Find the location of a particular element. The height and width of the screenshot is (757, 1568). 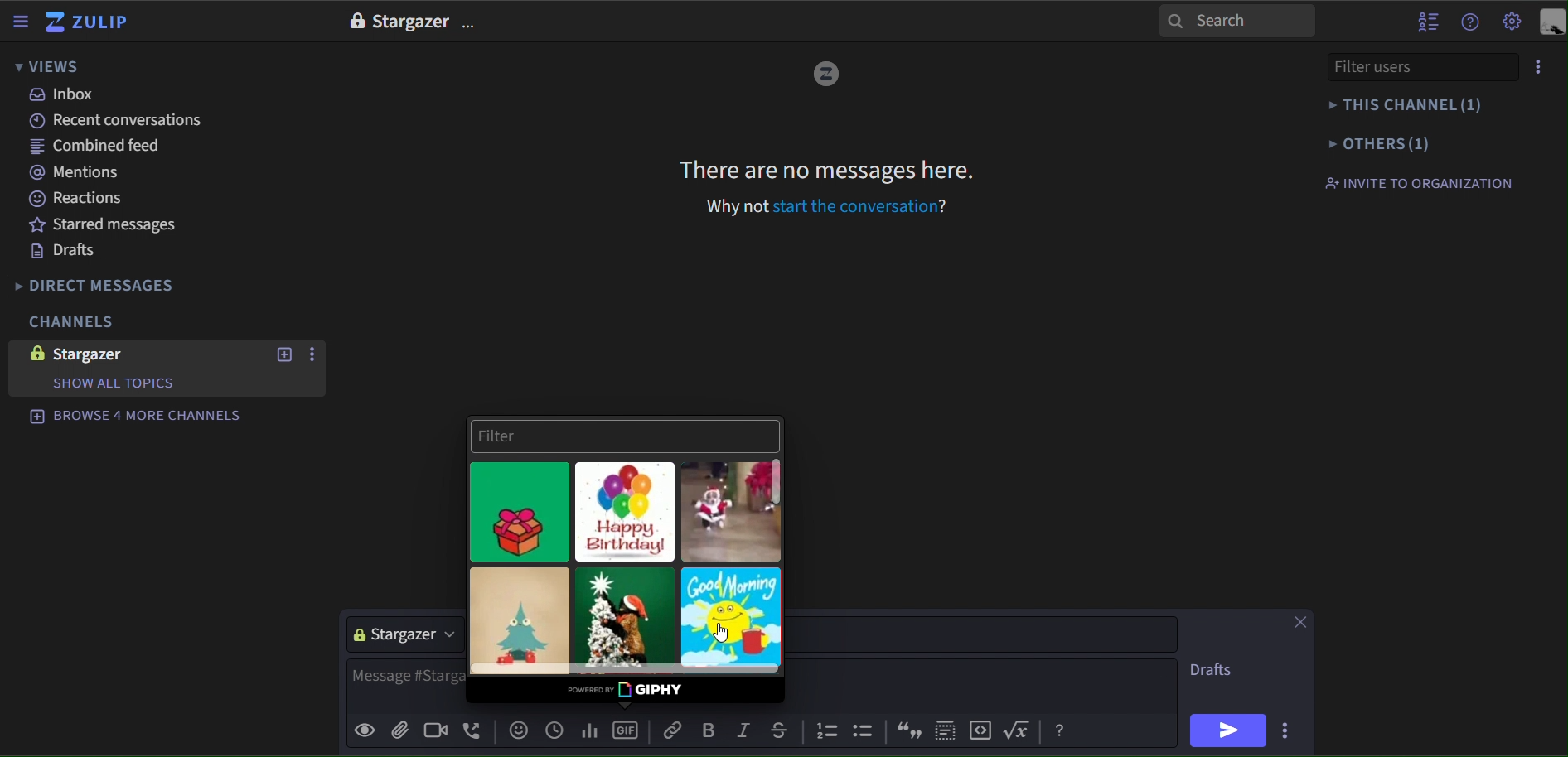

search is located at coordinates (1237, 20).